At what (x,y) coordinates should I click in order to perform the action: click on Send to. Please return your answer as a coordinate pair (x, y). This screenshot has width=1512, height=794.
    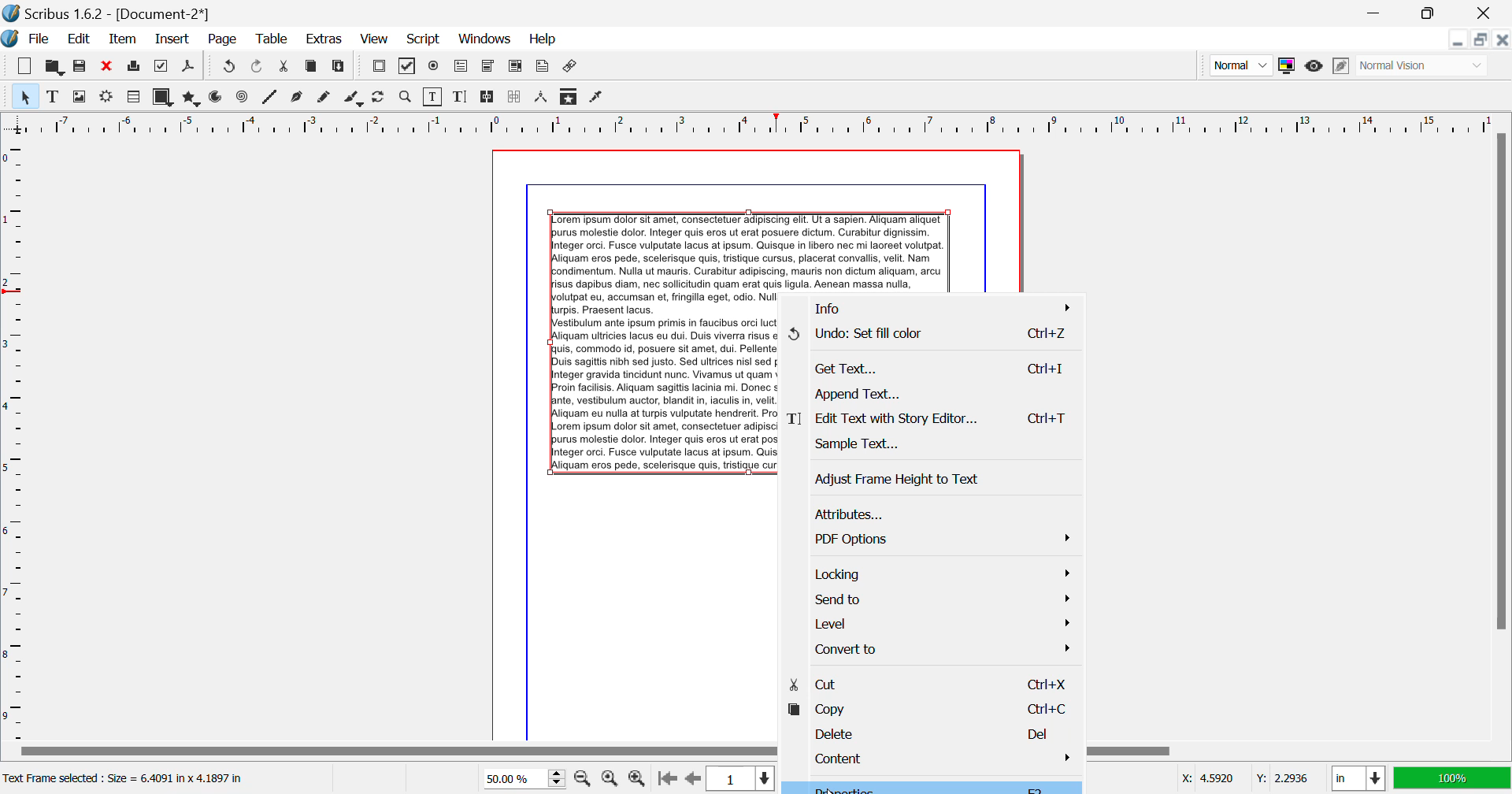
    Looking at the image, I should click on (928, 599).